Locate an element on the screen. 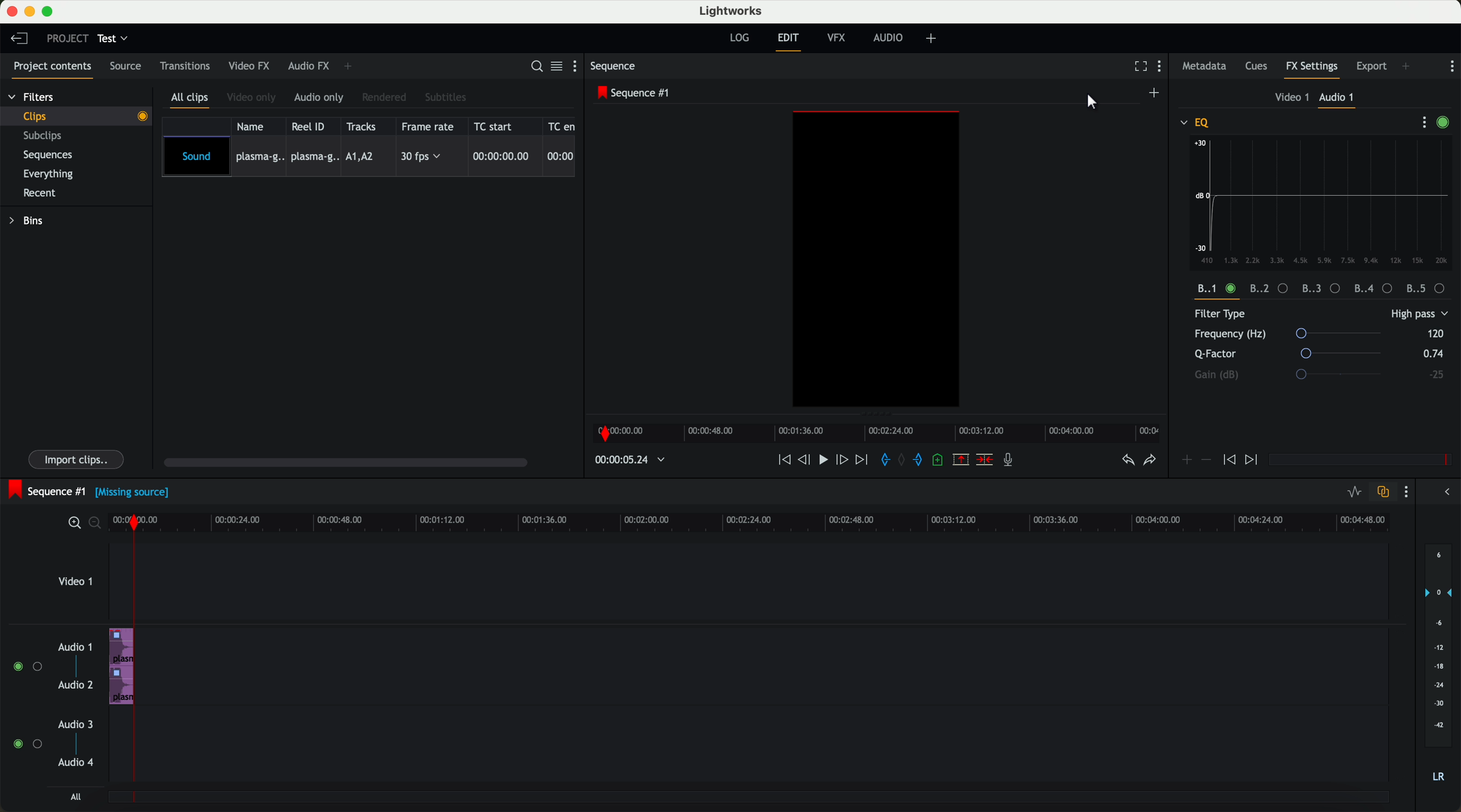  remove keyframe is located at coordinates (1207, 460).